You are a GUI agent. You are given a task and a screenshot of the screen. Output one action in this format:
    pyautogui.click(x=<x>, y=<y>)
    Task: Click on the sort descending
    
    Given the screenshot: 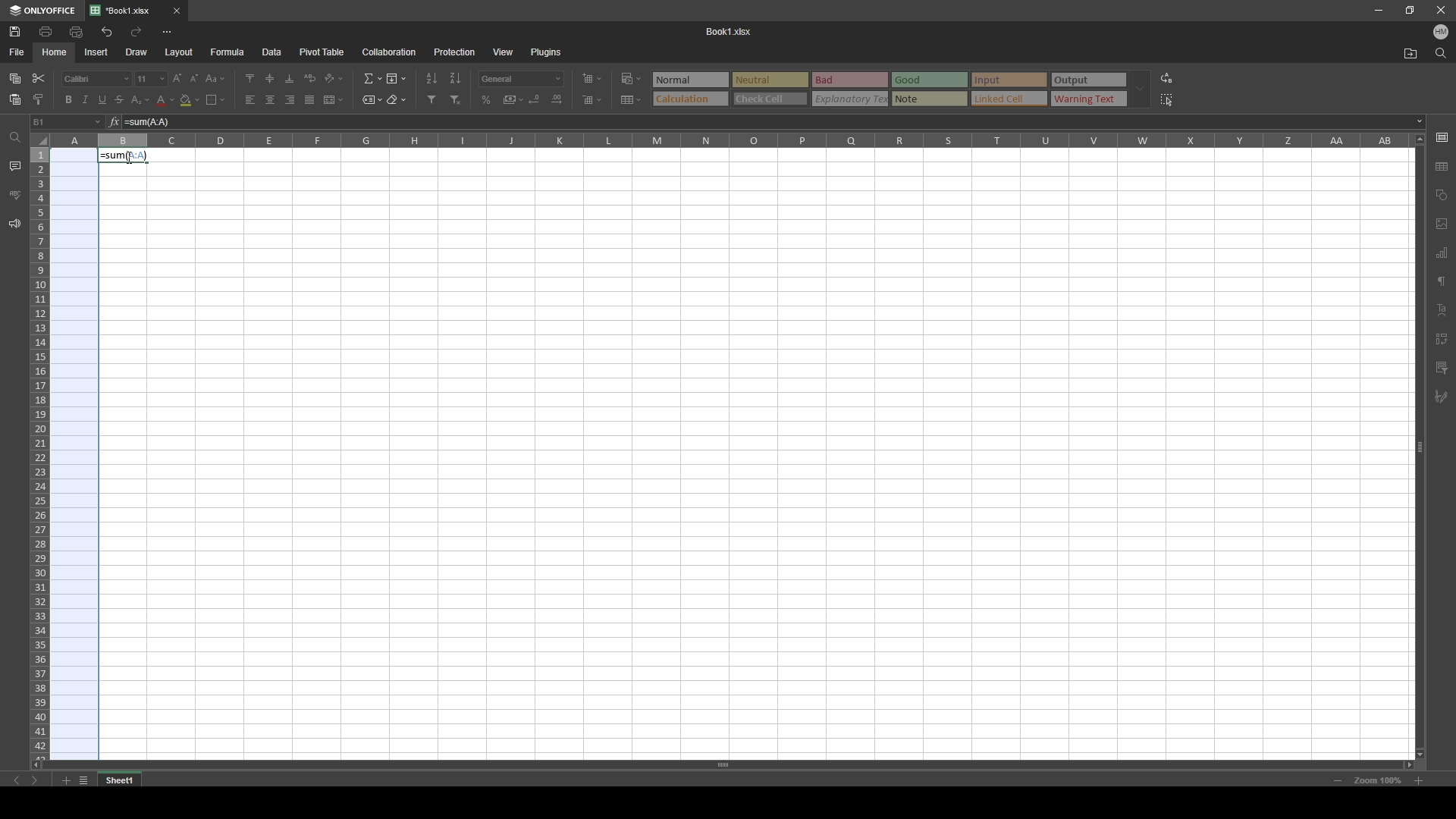 What is the action you would take?
    pyautogui.click(x=455, y=78)
    